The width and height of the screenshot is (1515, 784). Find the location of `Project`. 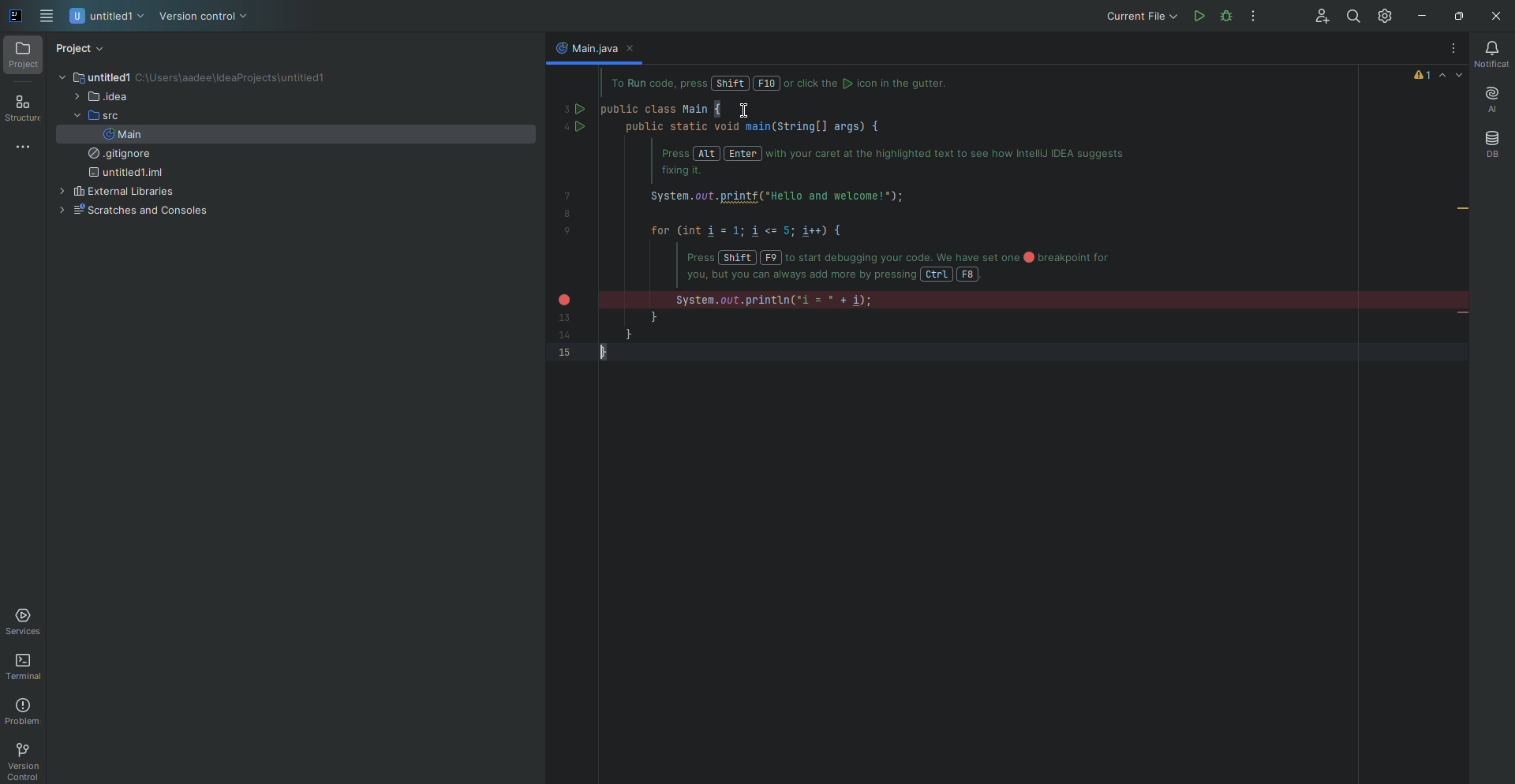

Project is located at coordinates (24, 56).